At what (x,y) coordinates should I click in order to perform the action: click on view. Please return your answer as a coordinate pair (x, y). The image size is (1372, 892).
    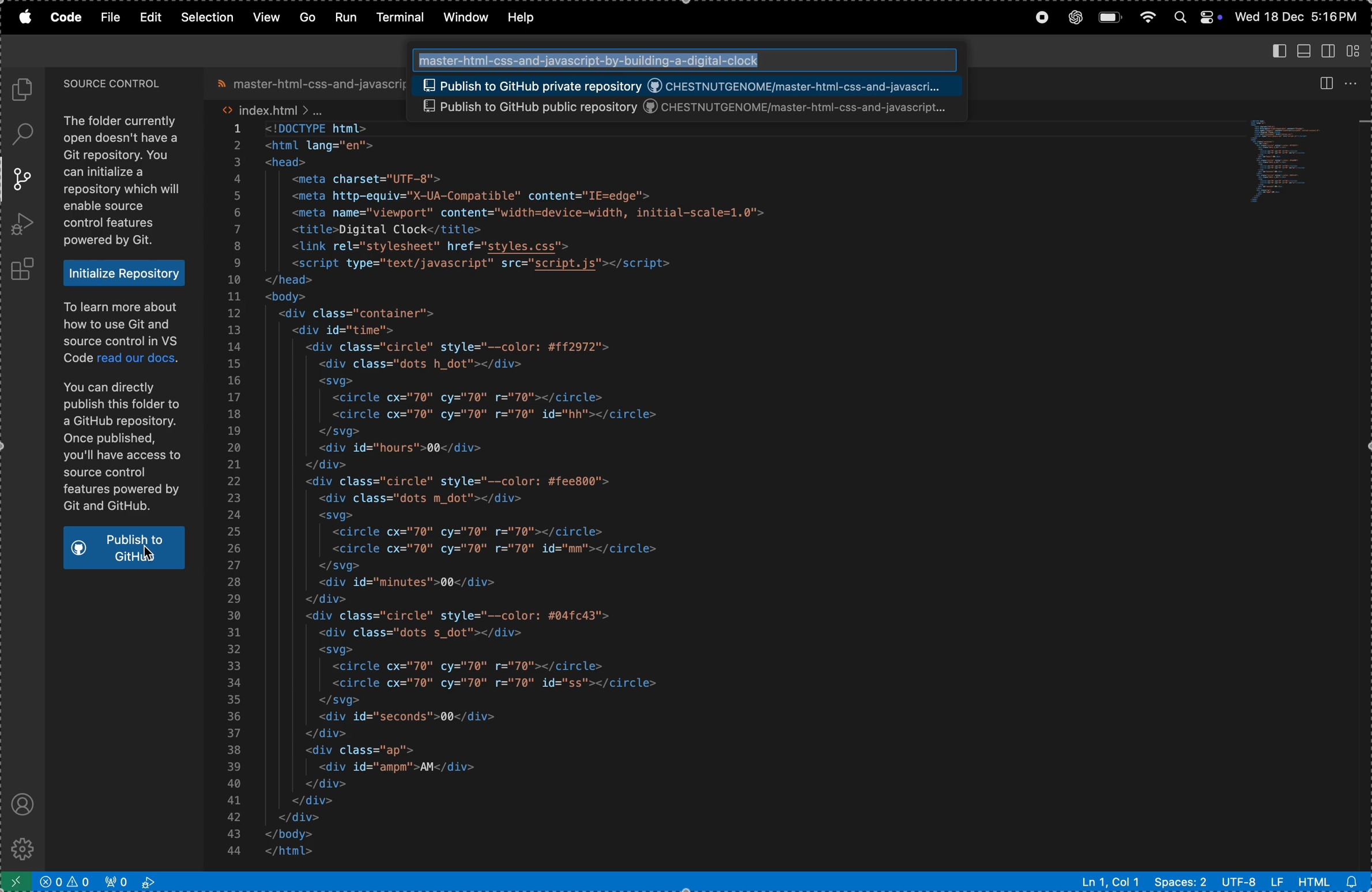
    Looking at the image, I should click on (265, 16).